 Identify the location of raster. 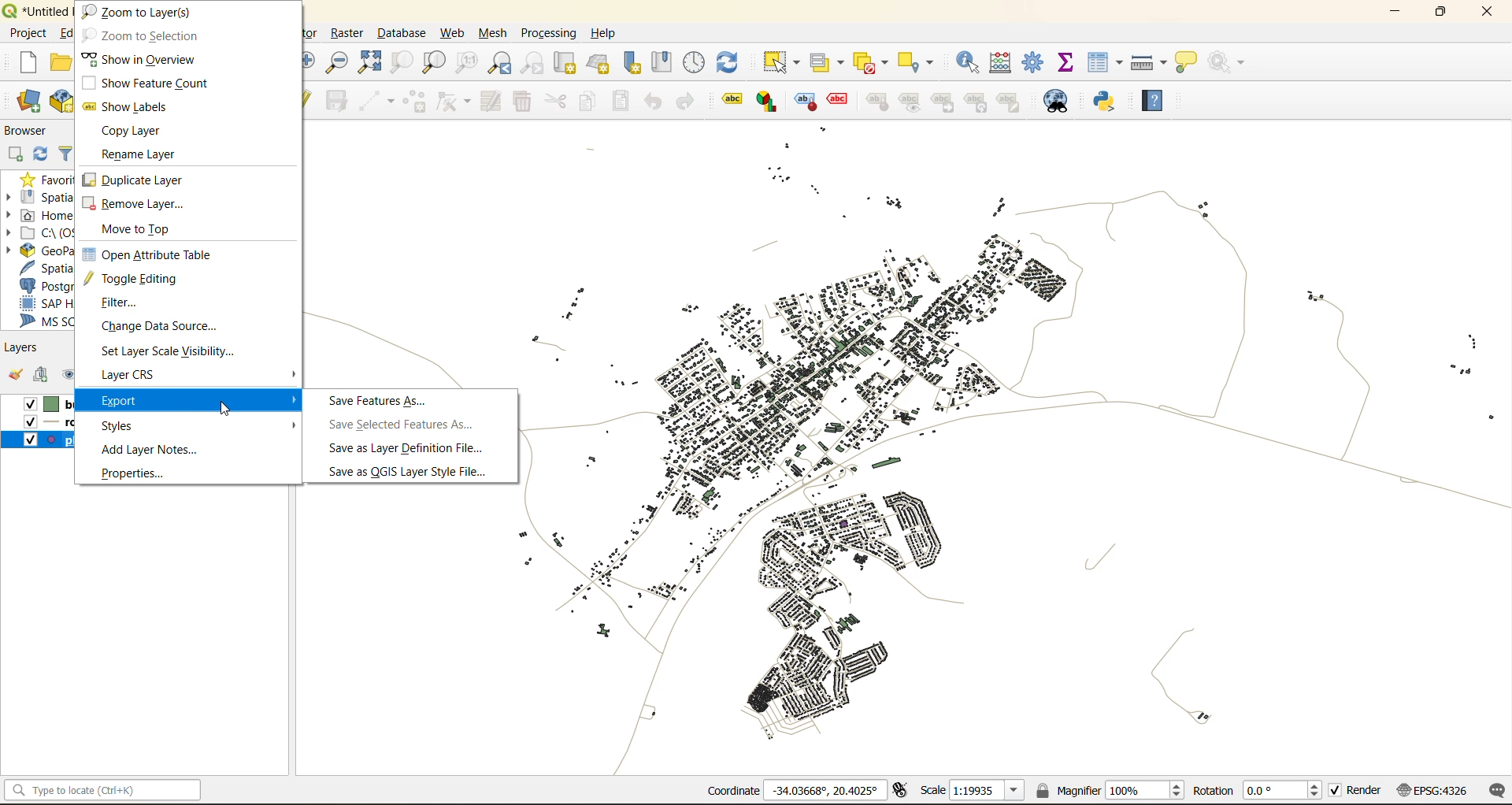
(349, 35).